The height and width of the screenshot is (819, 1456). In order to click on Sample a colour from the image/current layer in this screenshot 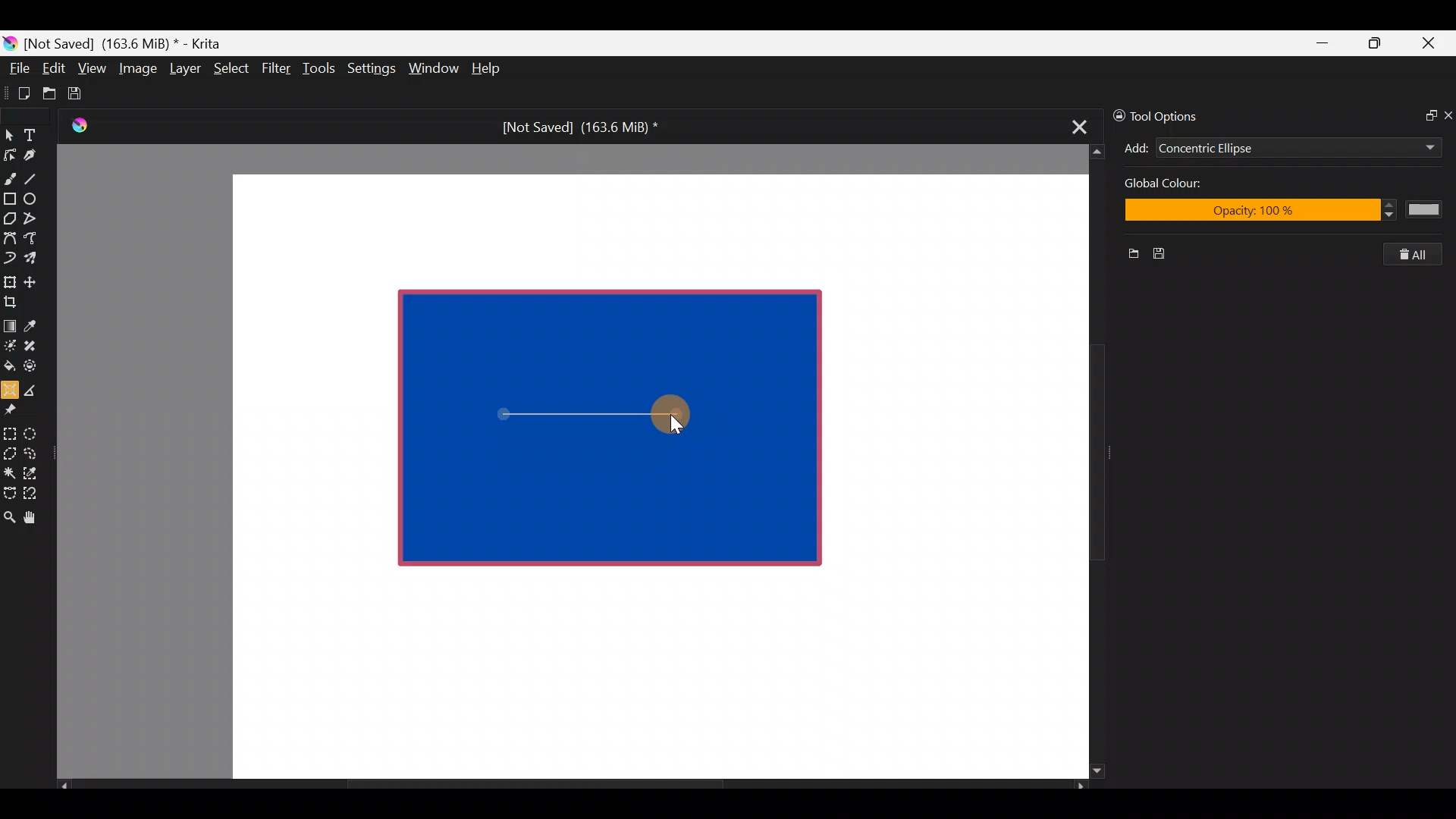, I will do `click(36, 324)`.